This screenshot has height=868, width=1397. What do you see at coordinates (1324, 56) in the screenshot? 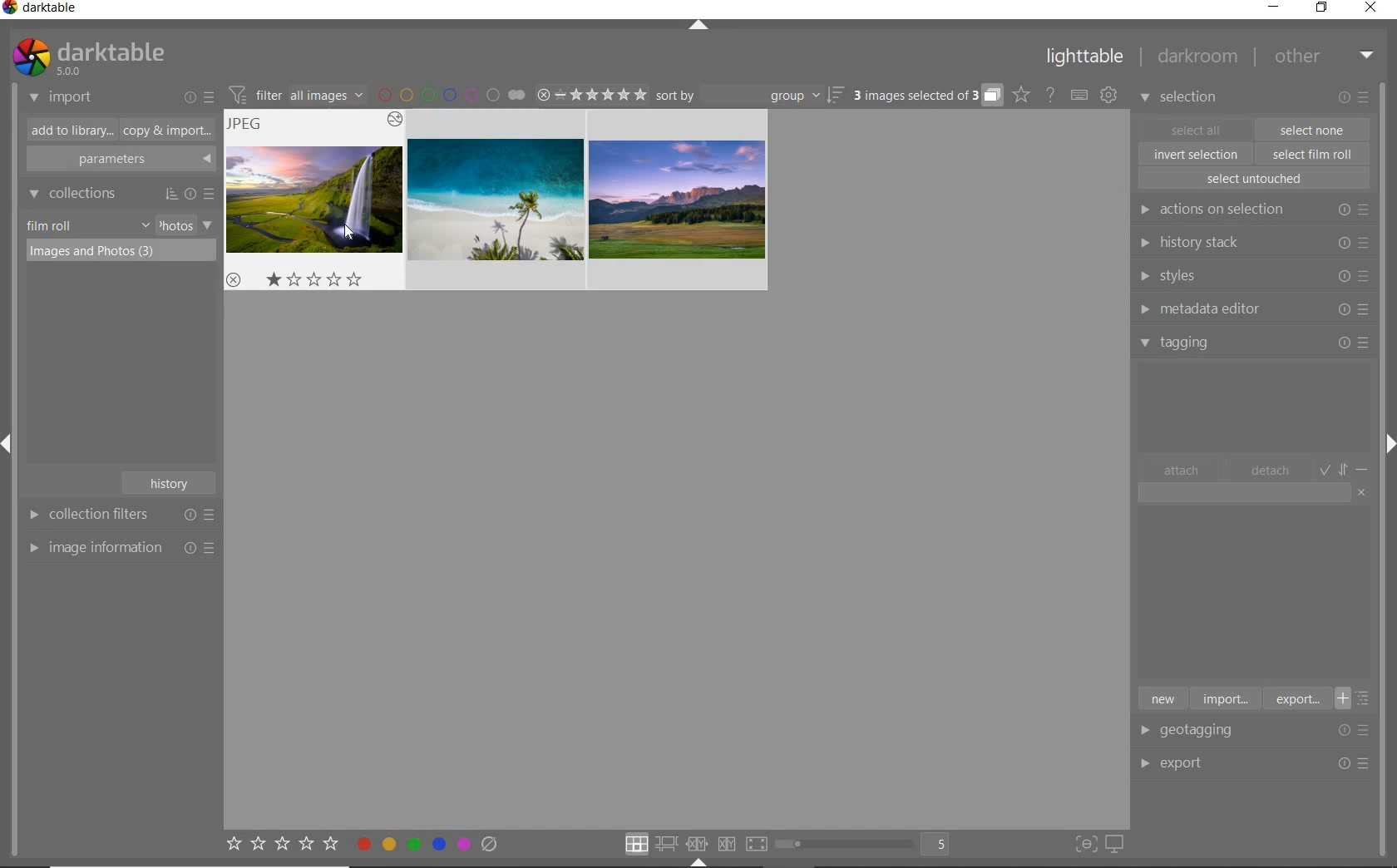
I see `other` at bounding box center [1324, 56].